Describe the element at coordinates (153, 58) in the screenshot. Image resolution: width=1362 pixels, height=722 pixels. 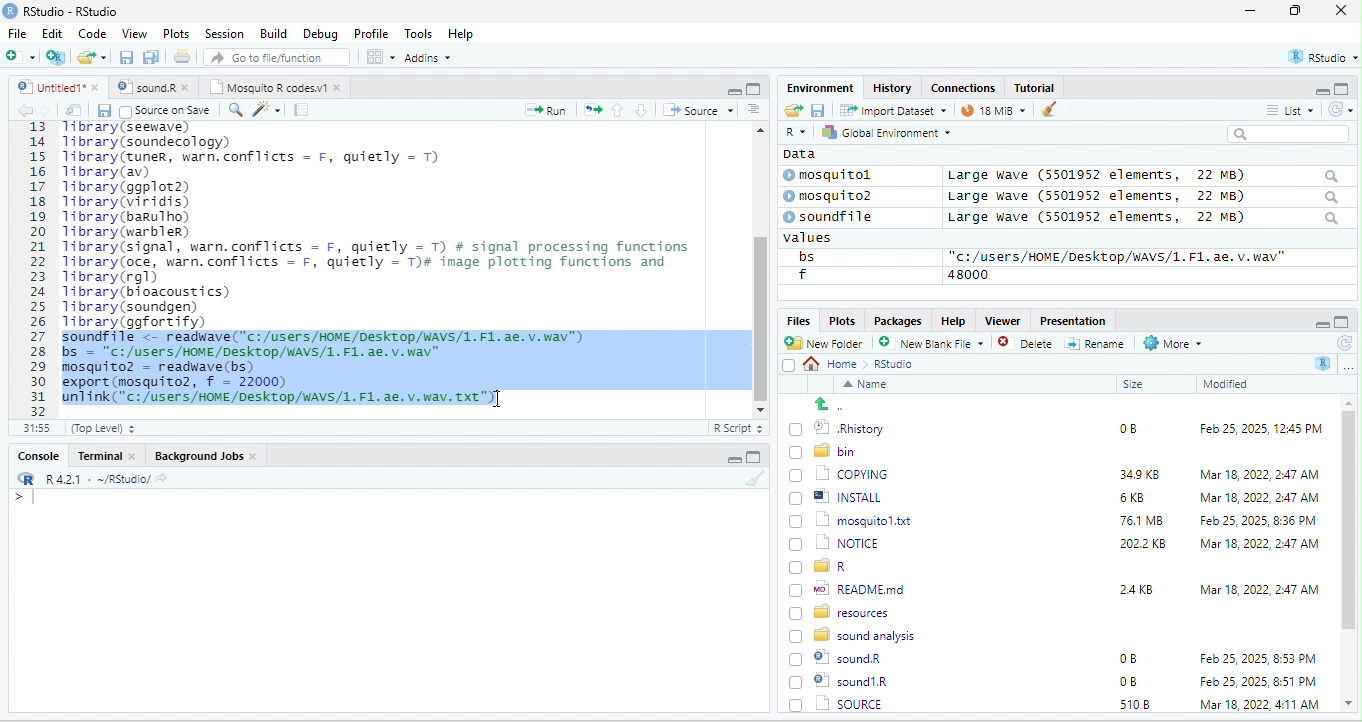
I see `save as` at that location.